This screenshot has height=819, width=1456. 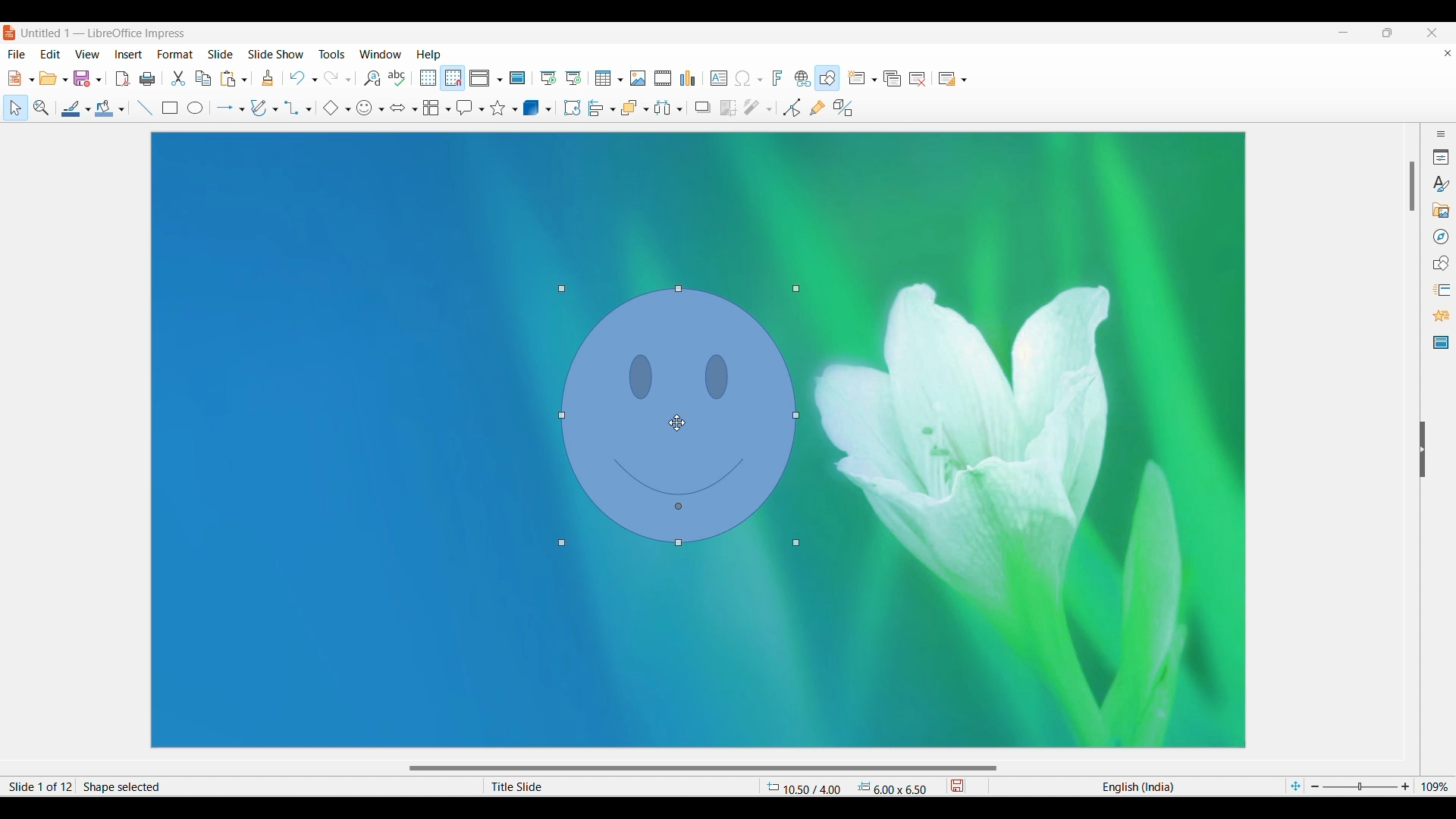 What do you see at coordinates (610, 786) in the screenshot?
I see `Title slide` at bounding box center [610, 786].